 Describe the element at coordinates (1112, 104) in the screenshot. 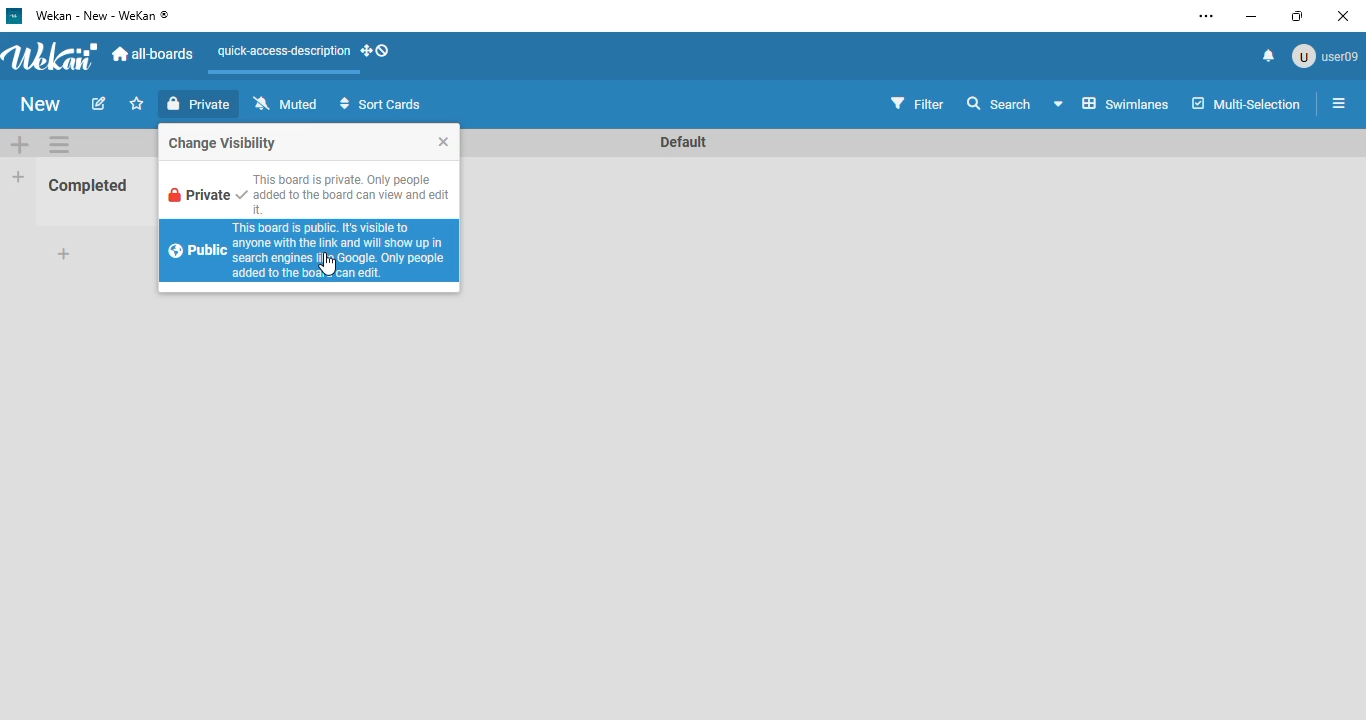

I see `board view` at that location.